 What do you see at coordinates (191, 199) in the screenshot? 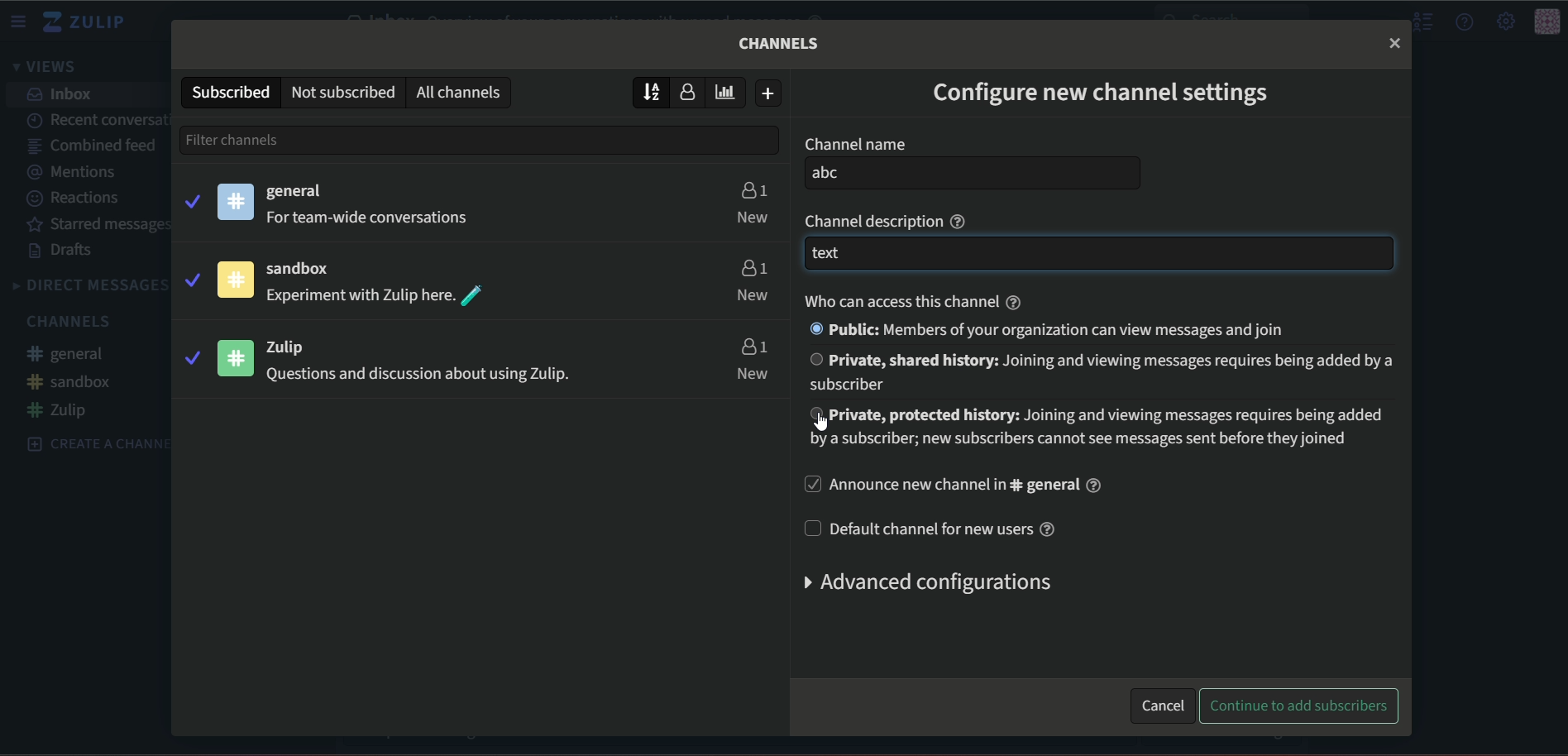
I see `tick` at bounding box center [191, 199].